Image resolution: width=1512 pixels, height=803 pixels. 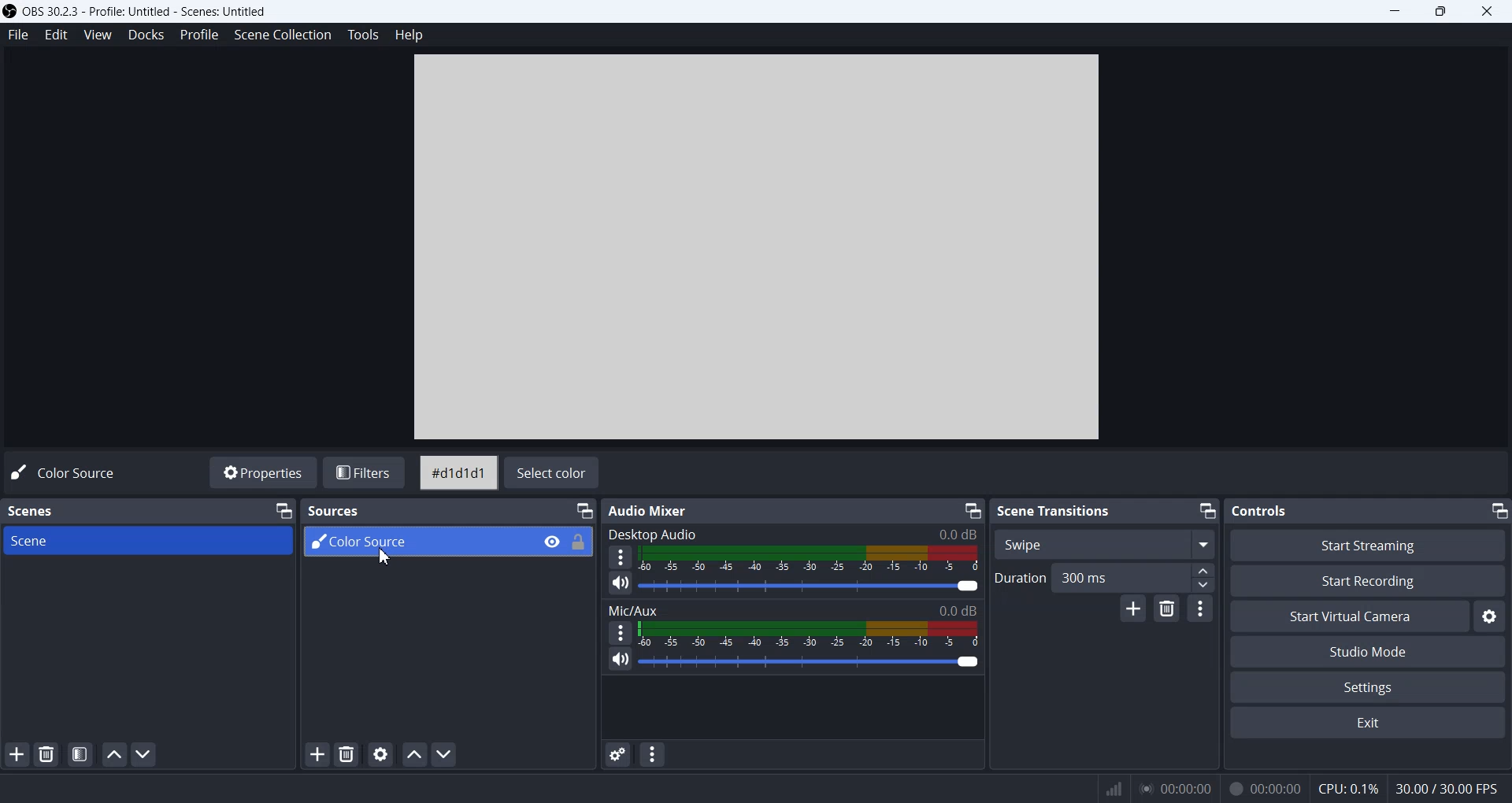 What do you see at coordinates (1349, 616) in the screenshot?
I see `Start Virtual Camera` at bounding box center [1349, 616].